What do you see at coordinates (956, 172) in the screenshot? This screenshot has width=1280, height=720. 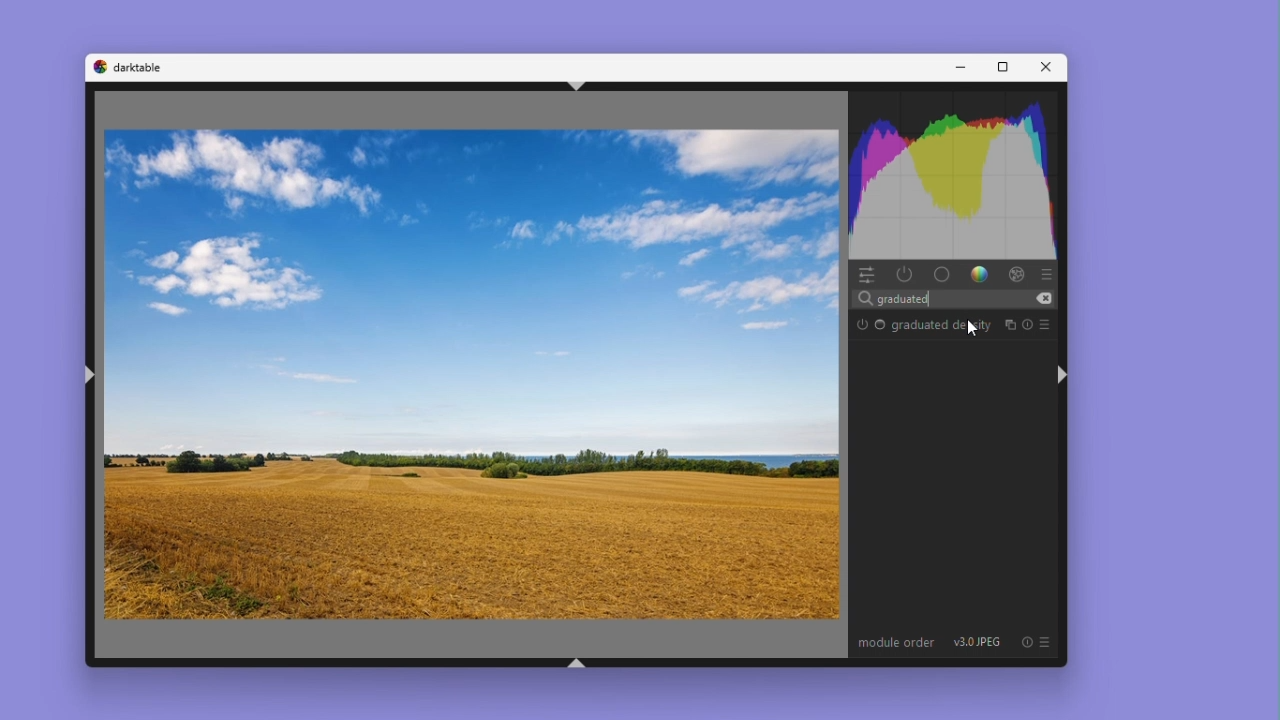 I see `Histogram` at bounding box center [956, 172].